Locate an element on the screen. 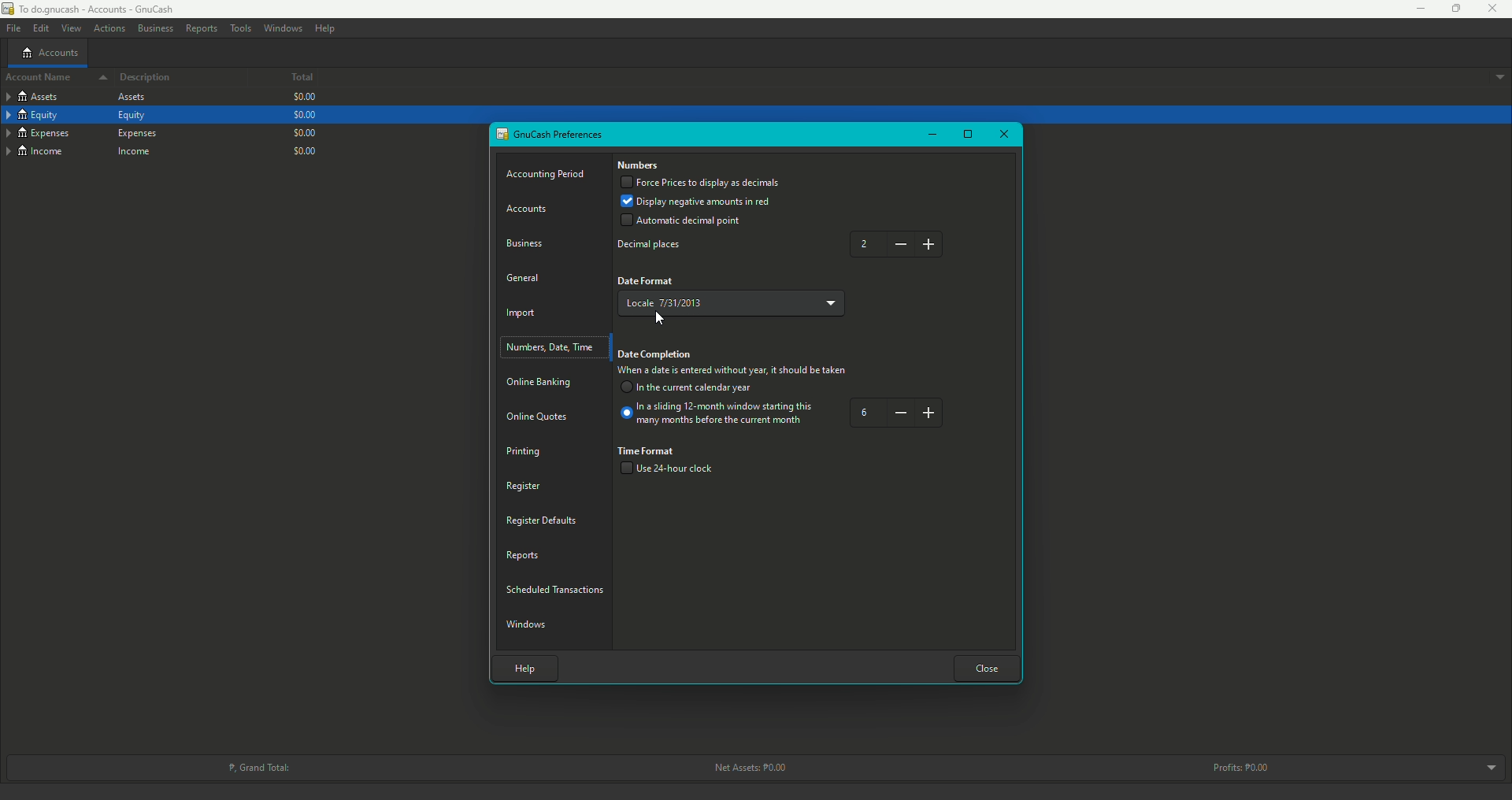 The height and width of the screenshot is (800, 1512). Locale is located at coordinates (735, 300).